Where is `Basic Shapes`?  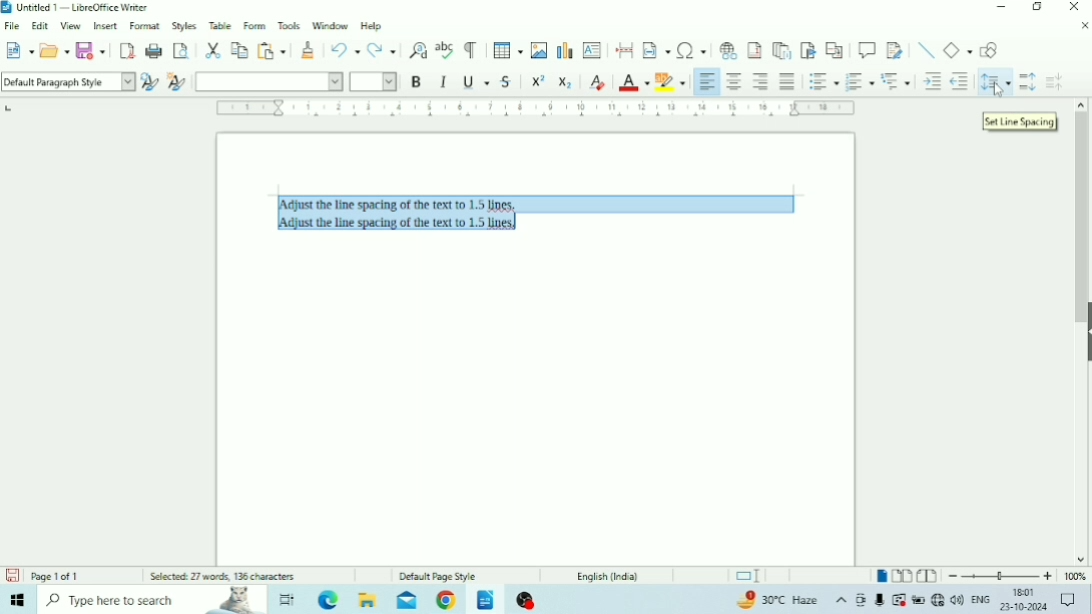 Basic Shapes is located at coordinates (957, 49).